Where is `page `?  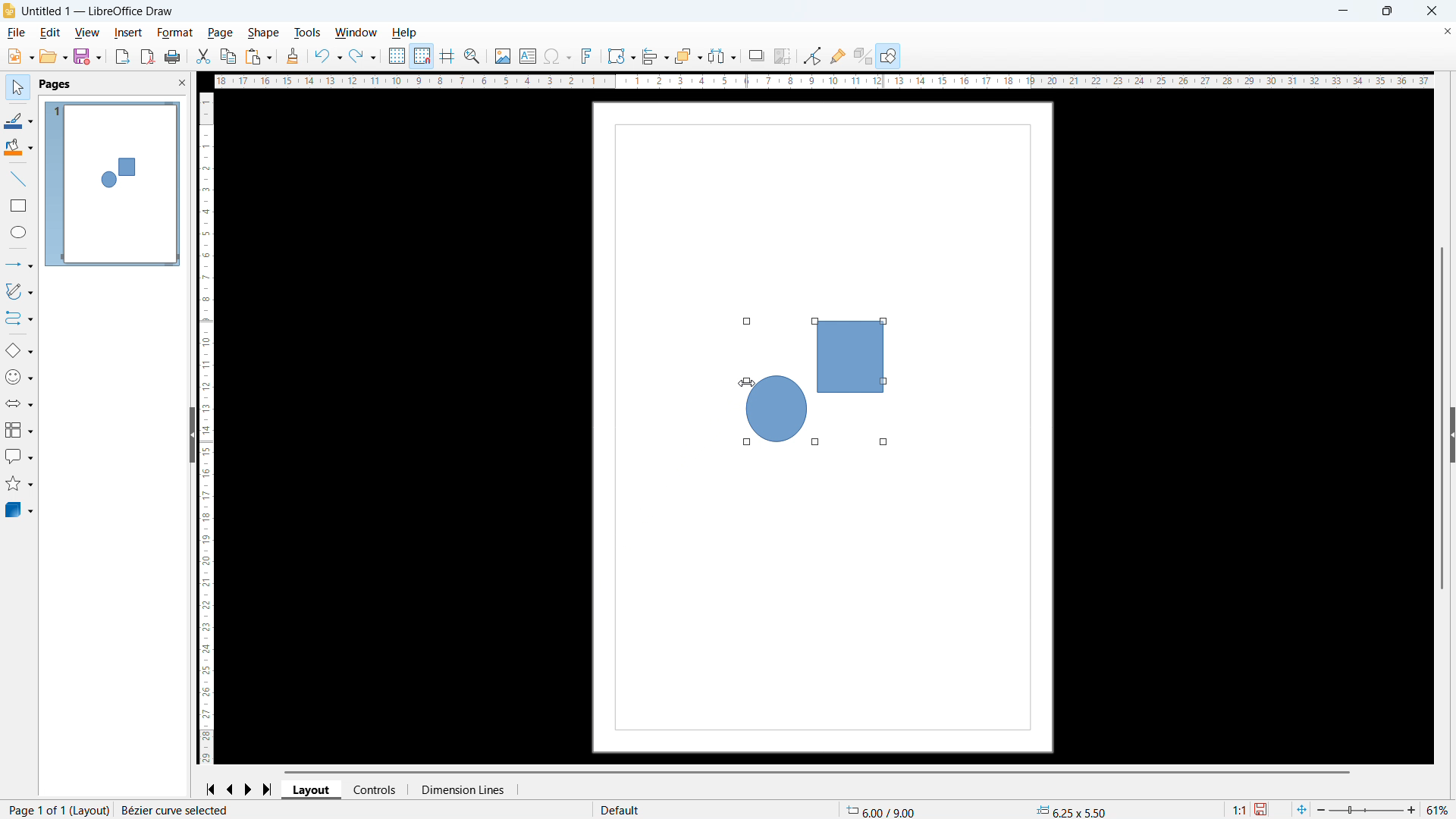 page  is located at coordinates (220, 33).